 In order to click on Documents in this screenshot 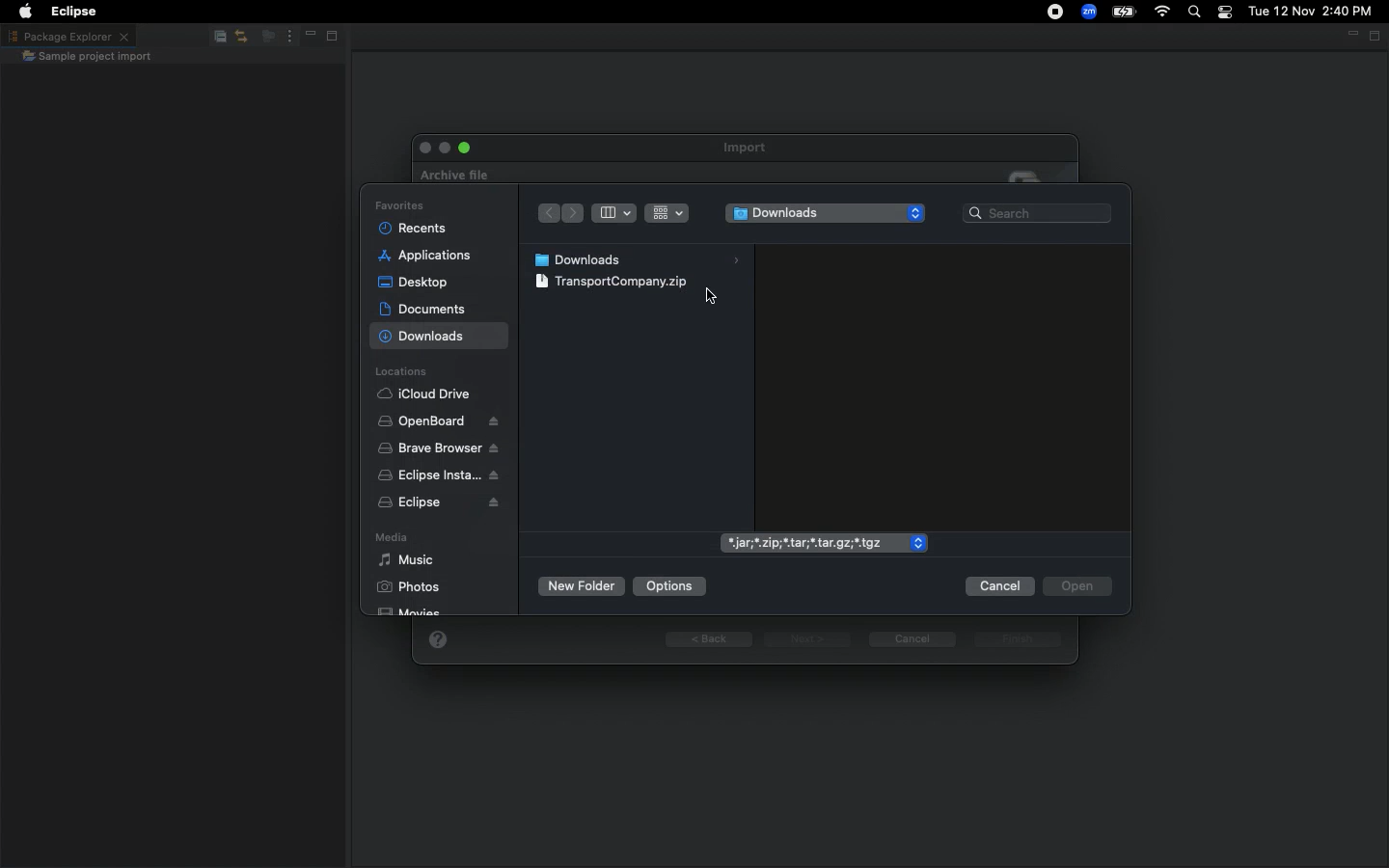, I will do `click(424, 309)`.